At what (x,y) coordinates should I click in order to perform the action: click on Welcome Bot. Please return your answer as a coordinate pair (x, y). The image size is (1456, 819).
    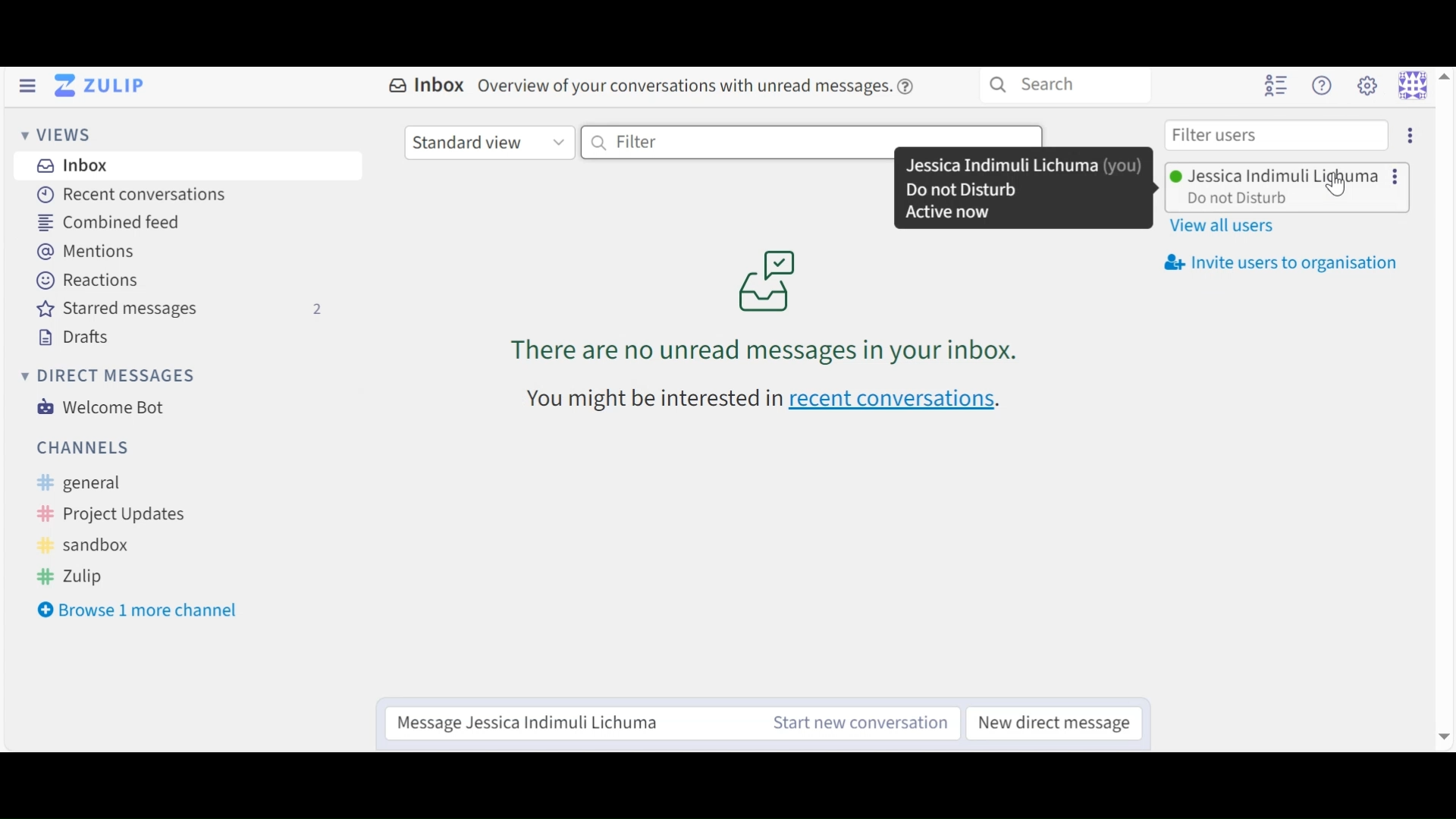
    Looking at the image, I should click on (102, 406).